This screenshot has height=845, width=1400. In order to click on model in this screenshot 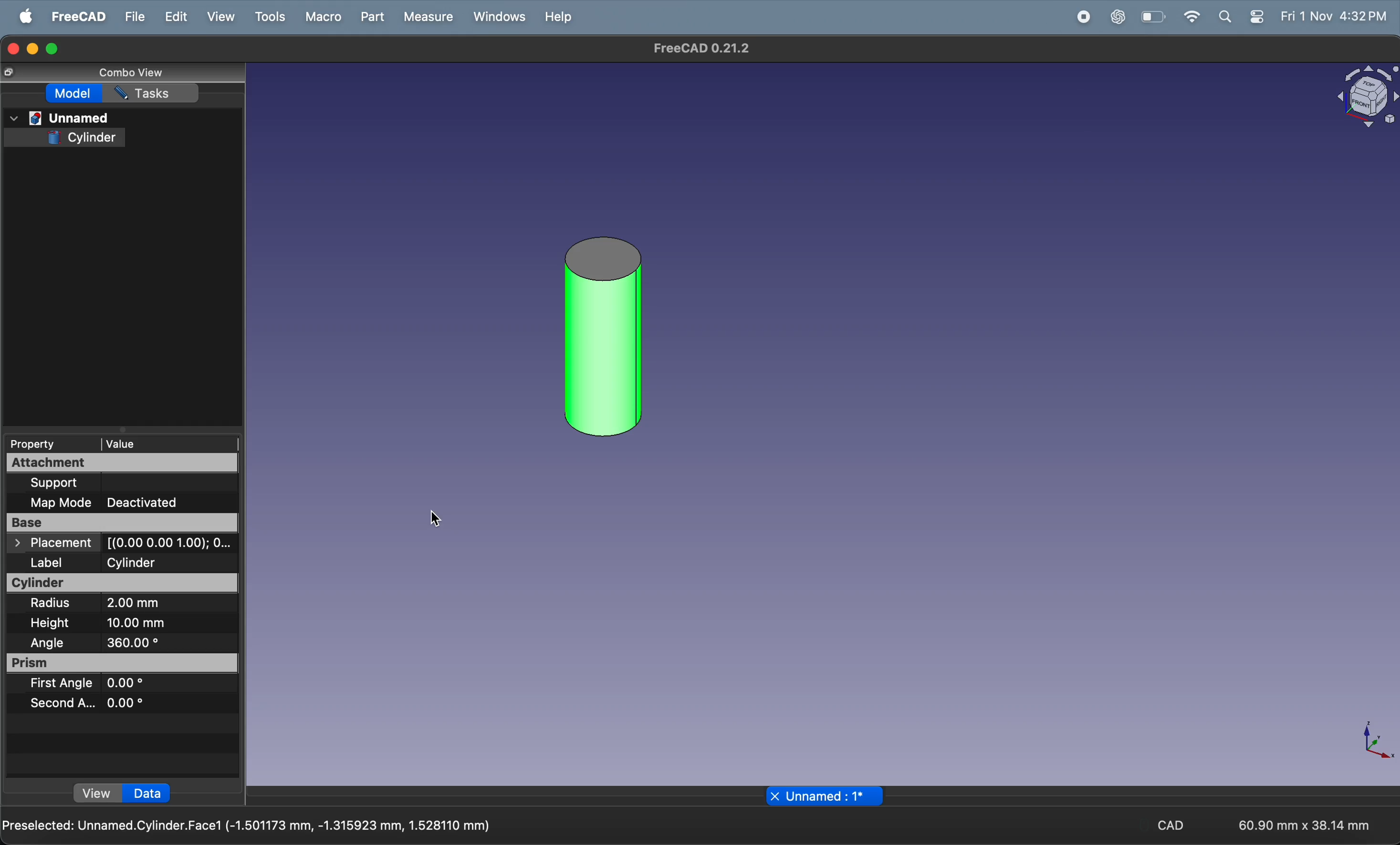, I will do `click(74, 94)`.